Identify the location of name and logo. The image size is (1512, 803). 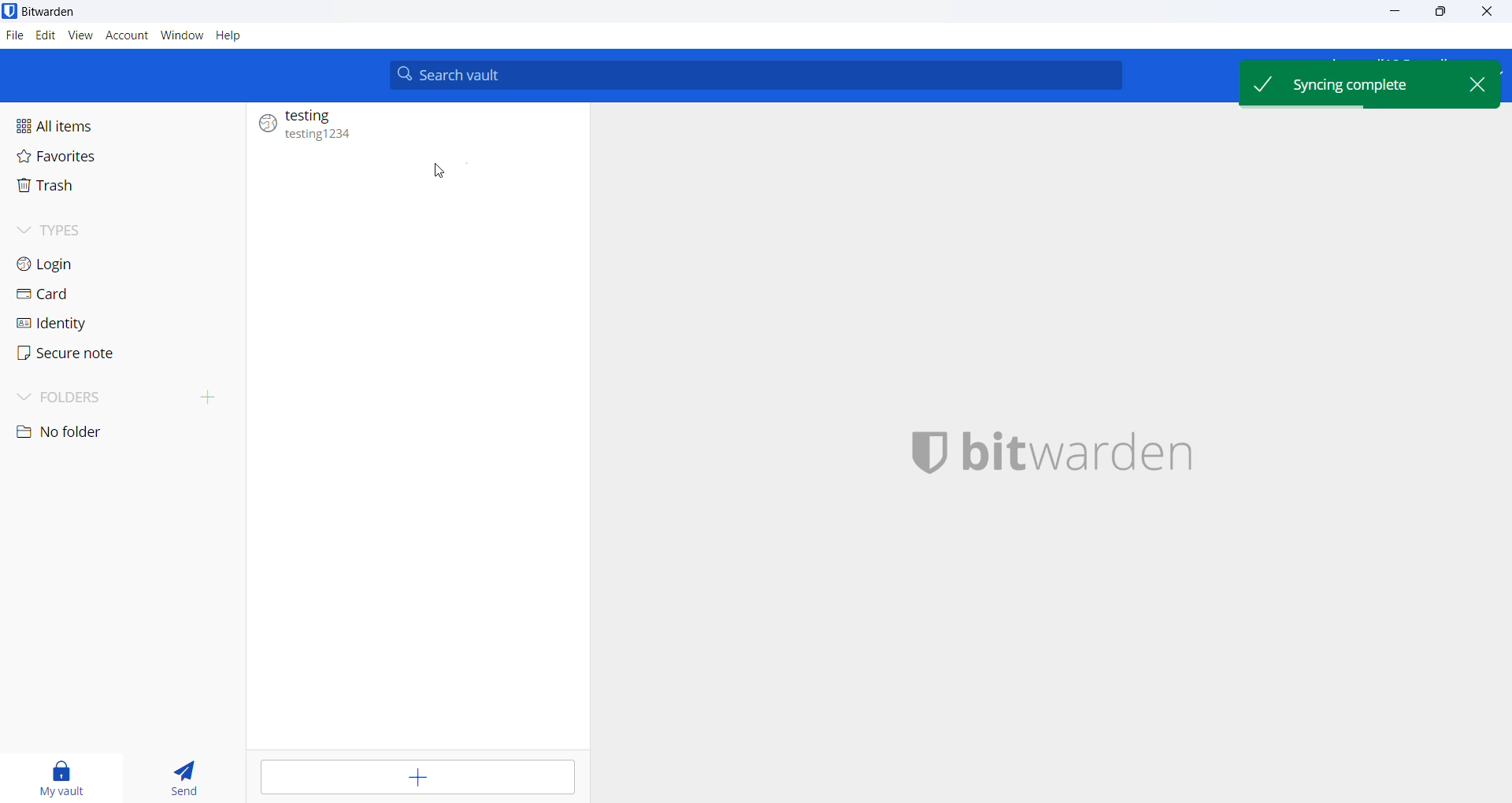
(1056, 460).